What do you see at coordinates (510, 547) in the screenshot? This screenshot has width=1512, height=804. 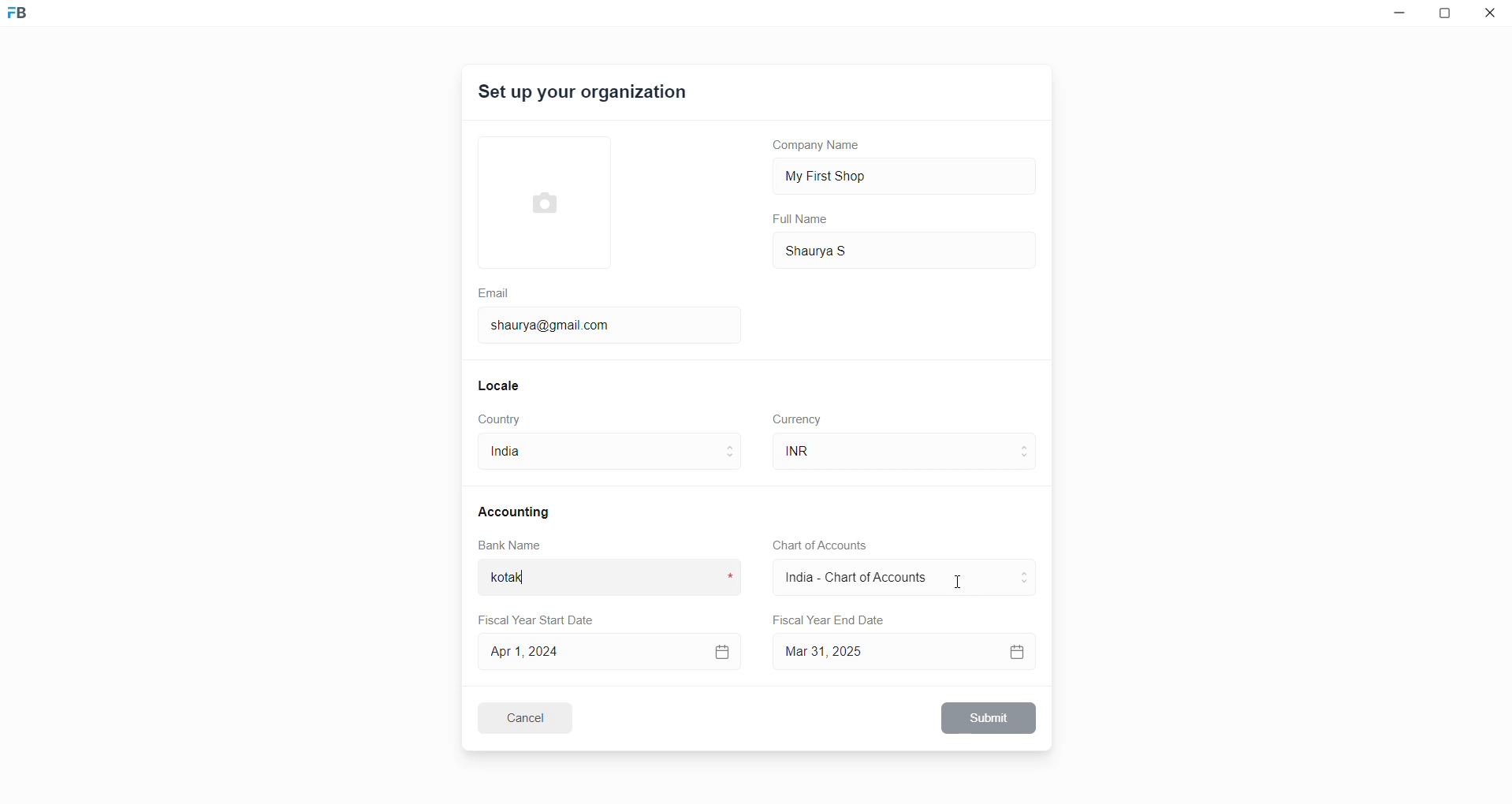 I see `Bank Name` at bounding box center [510, 547].